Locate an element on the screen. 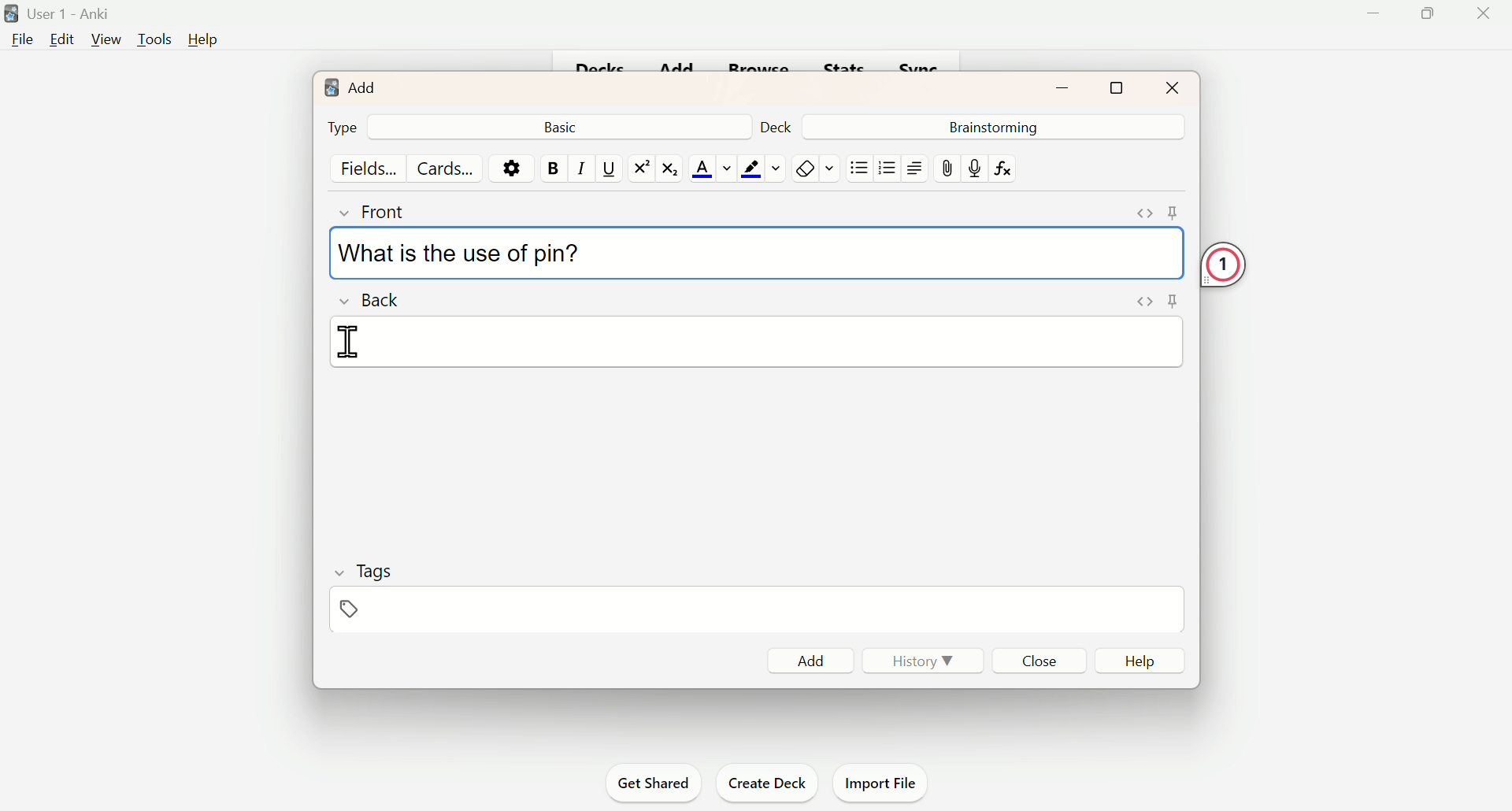  Import File is located at coordinates (882, 780).